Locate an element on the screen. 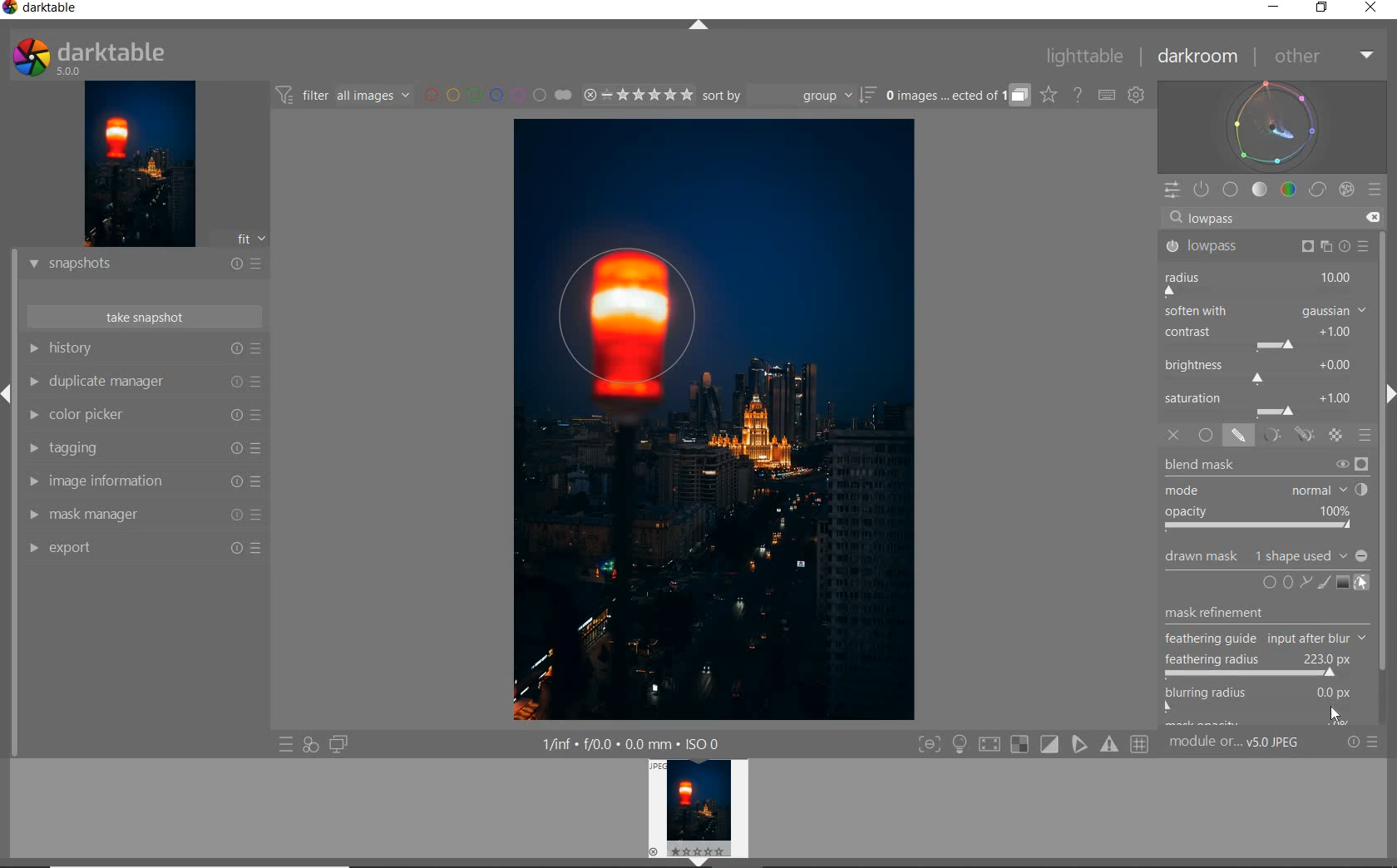 The width and height of the screenshot is (1397, 868). CONTRAST is located at coordinates (1263, 339).